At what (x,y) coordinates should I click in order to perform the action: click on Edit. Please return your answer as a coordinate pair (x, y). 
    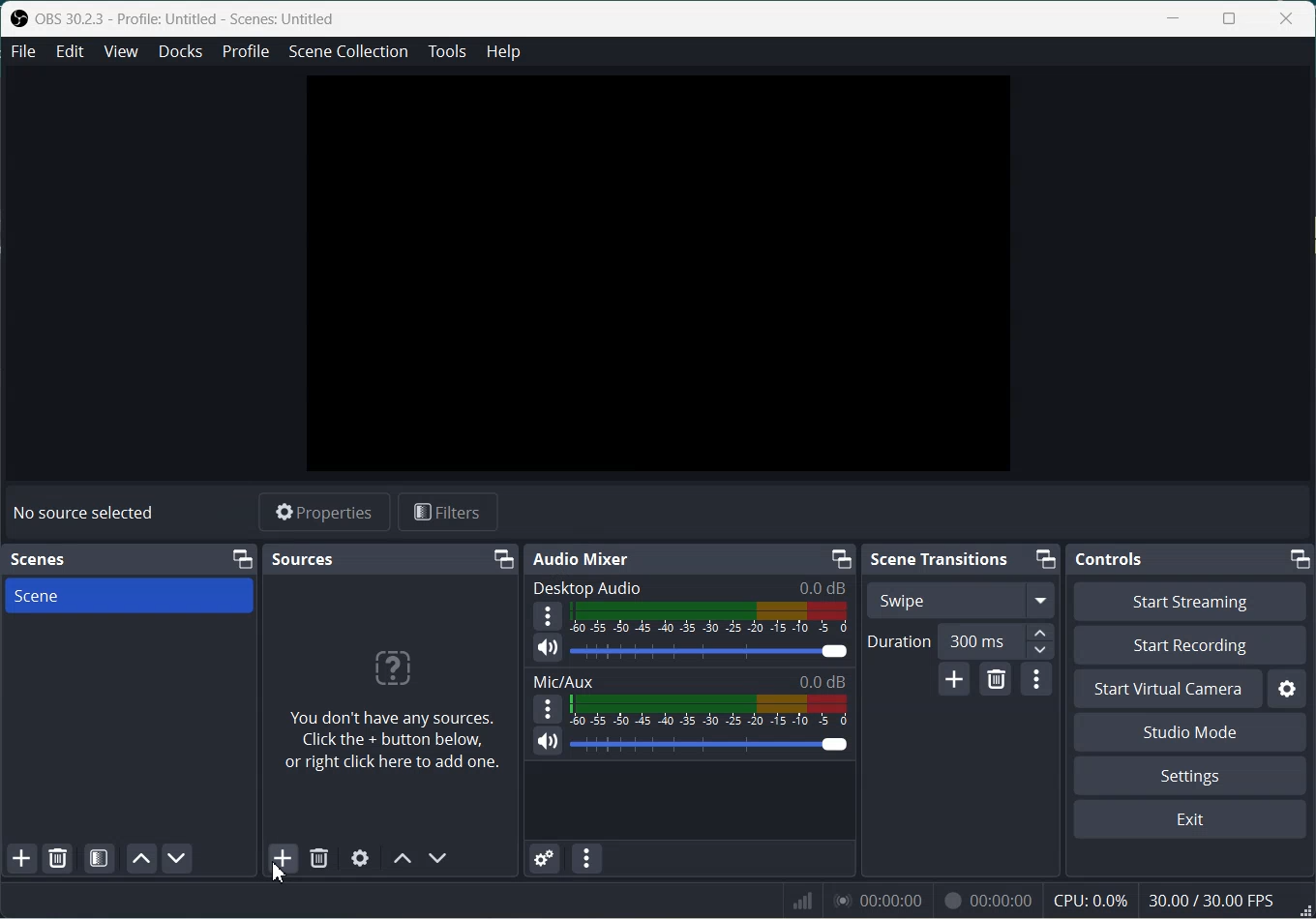
    Looking at the image, I should click on (70, 50).